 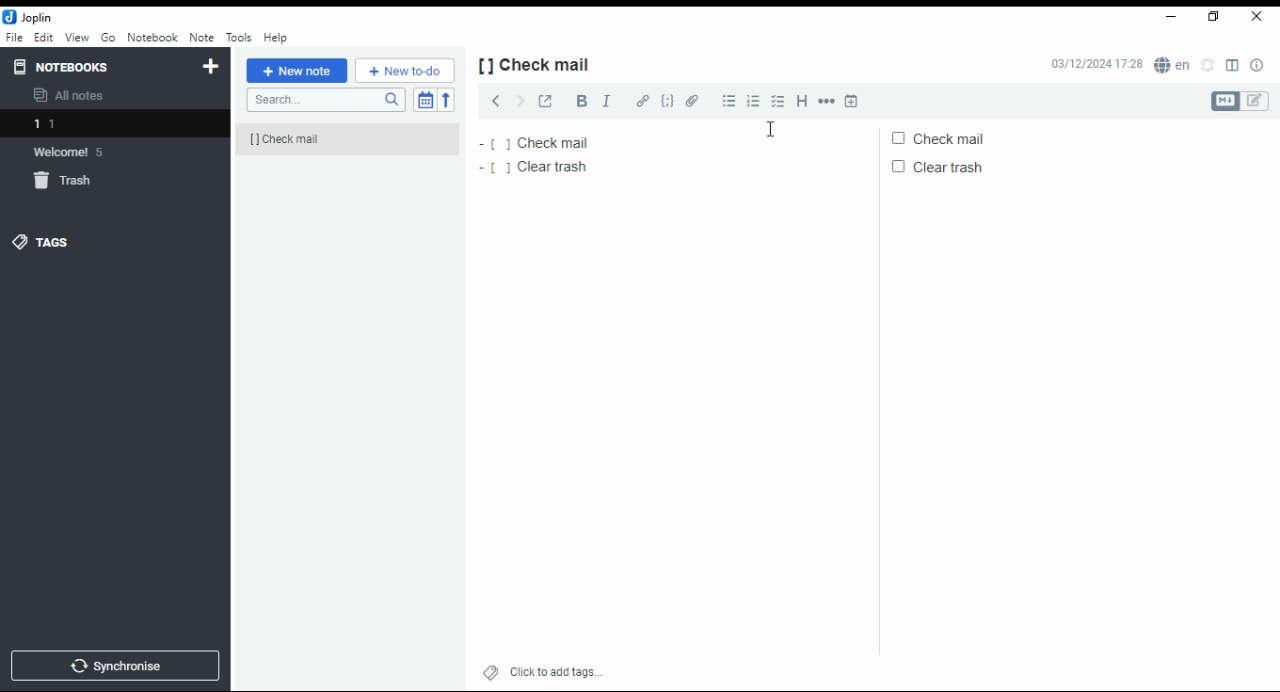 I want to click on tools, so click(x=240, y=38).